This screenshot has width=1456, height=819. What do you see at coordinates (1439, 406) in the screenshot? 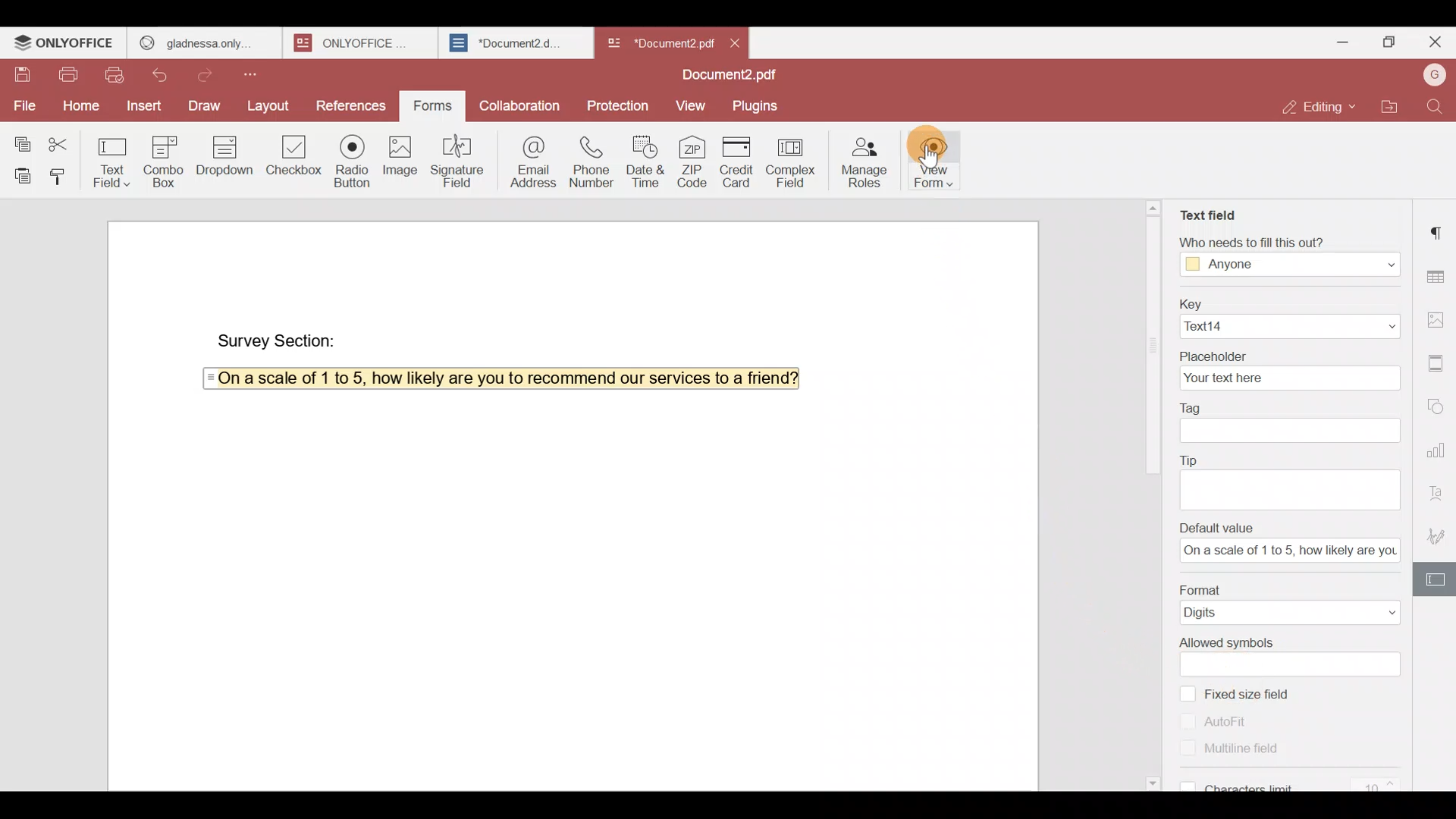
I see `Shapes settings` at bounding box center [1439, 406].